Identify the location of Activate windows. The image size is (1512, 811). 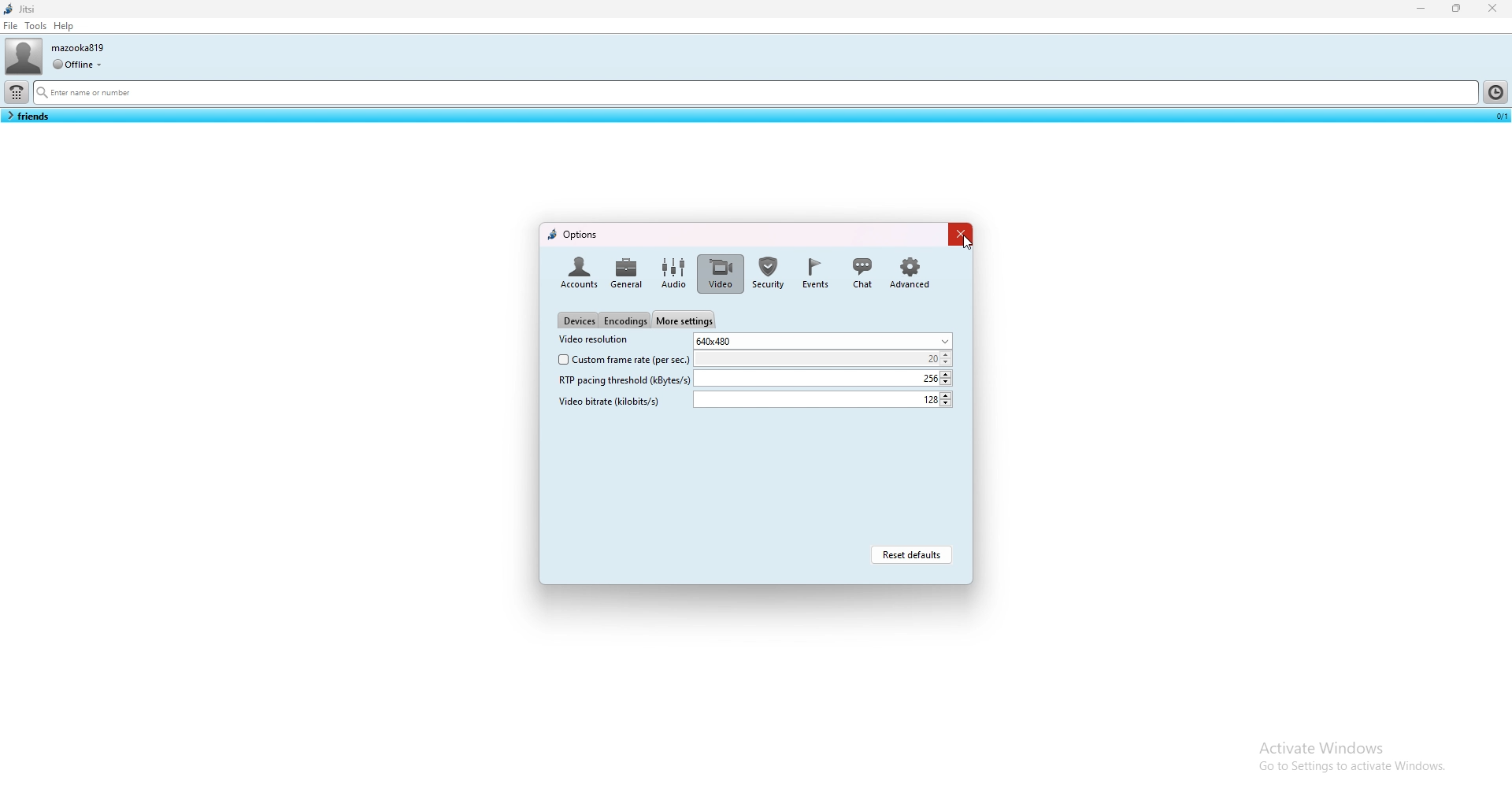
(1351, 745).